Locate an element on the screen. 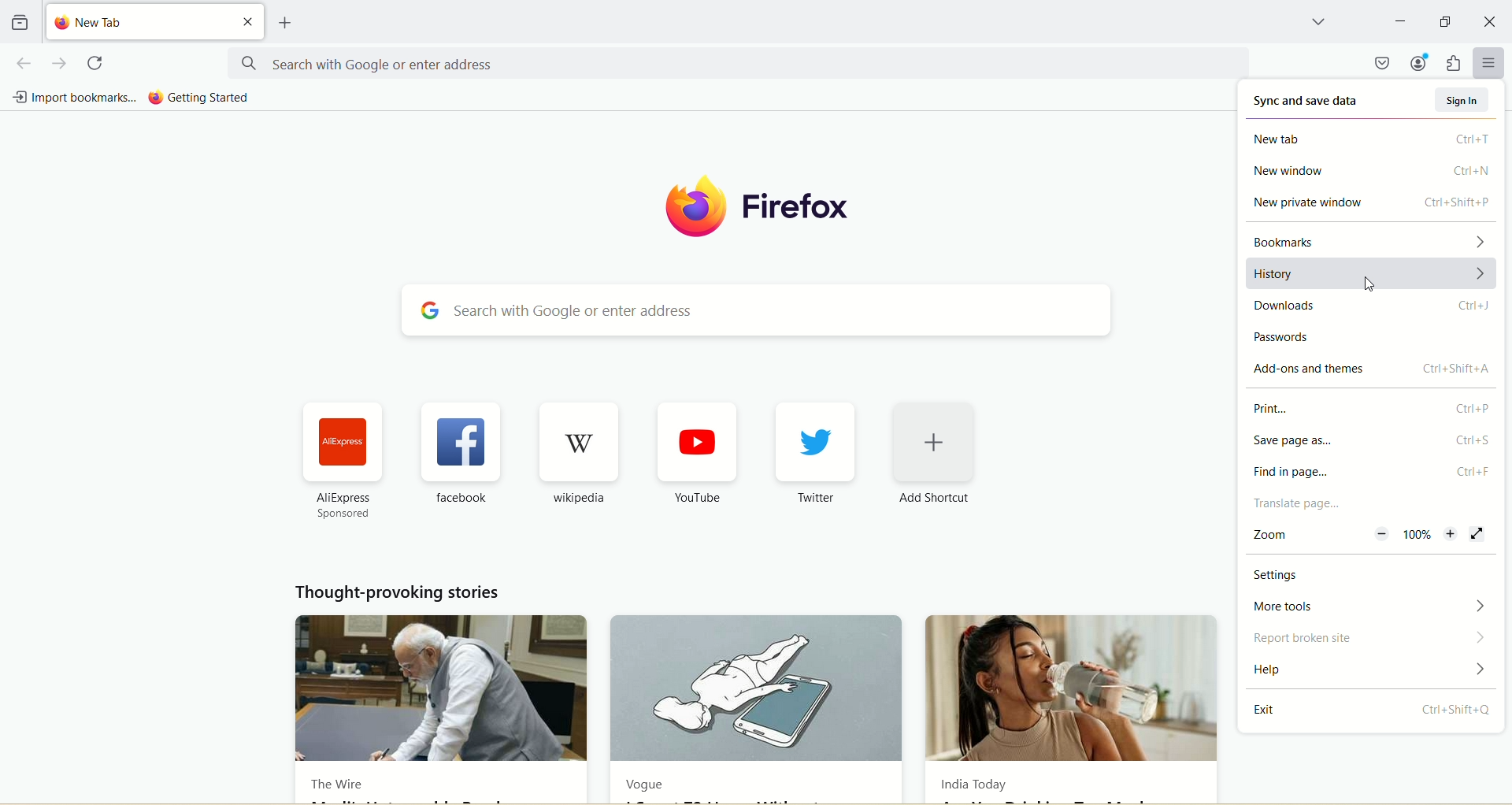 The width and height of the screenshot is (1512, 805). fit to screen is located at coordinates (1480, 534).